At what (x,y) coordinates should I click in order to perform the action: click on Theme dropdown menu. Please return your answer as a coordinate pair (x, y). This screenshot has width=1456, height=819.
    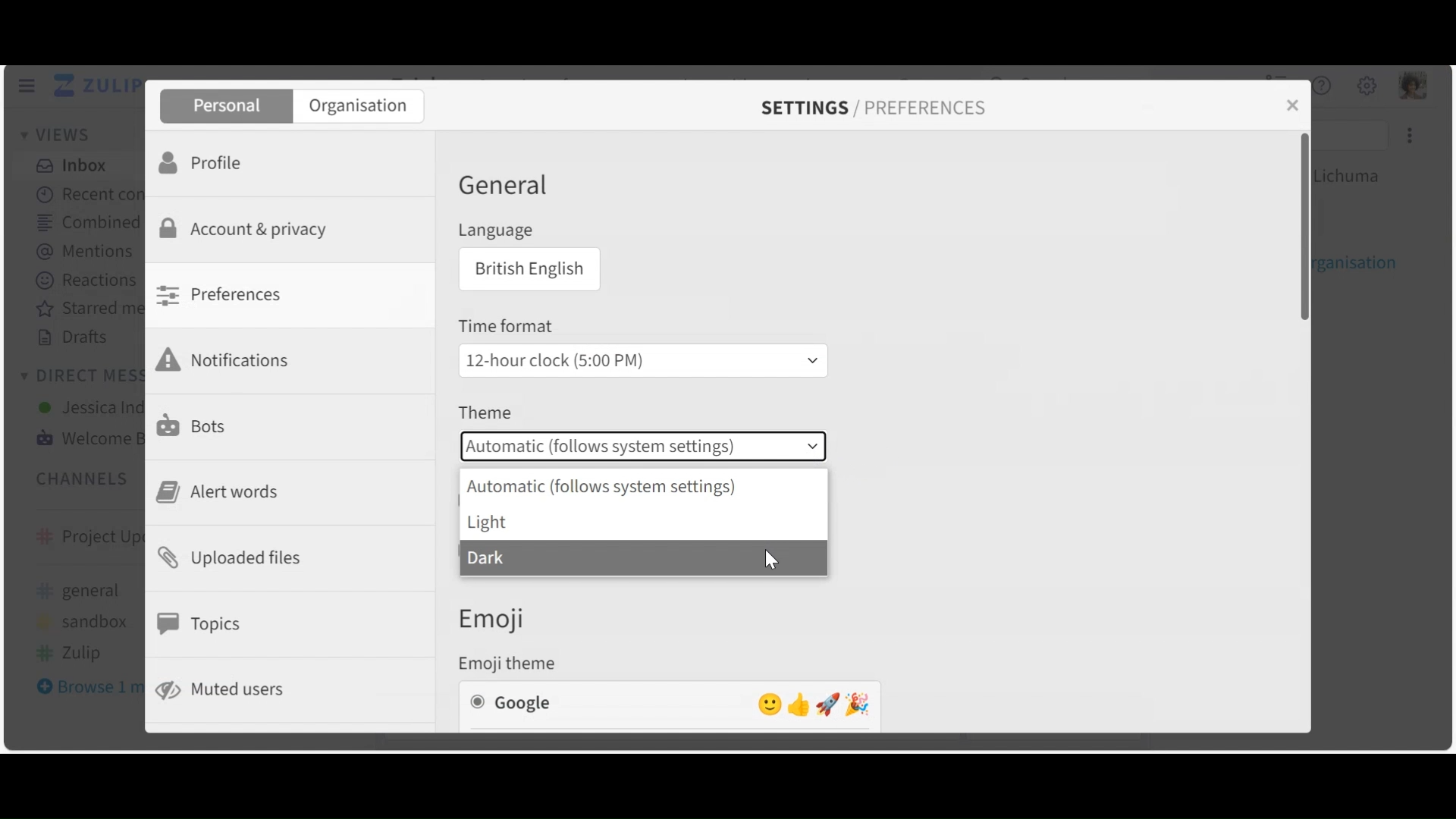
    Looking at the image, I should click on (643, 447).